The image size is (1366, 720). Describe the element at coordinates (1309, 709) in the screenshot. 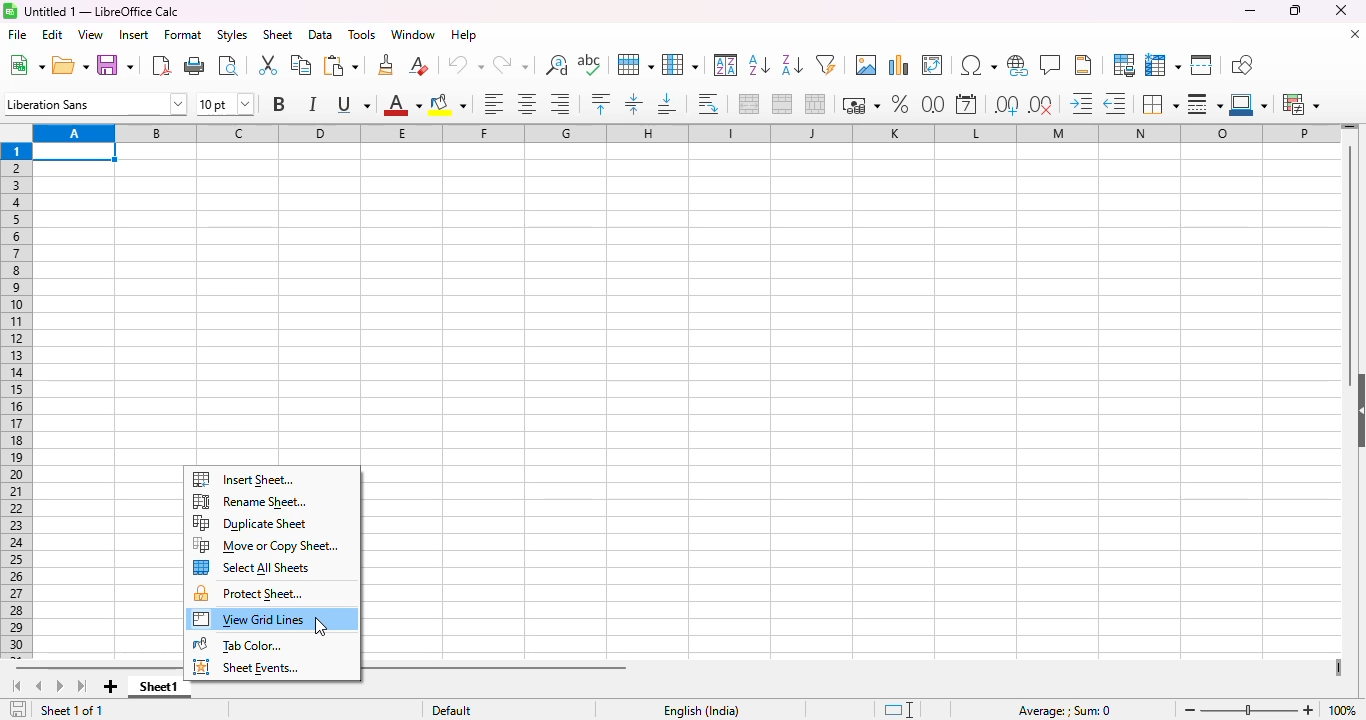

I see `zoom in` at that location.